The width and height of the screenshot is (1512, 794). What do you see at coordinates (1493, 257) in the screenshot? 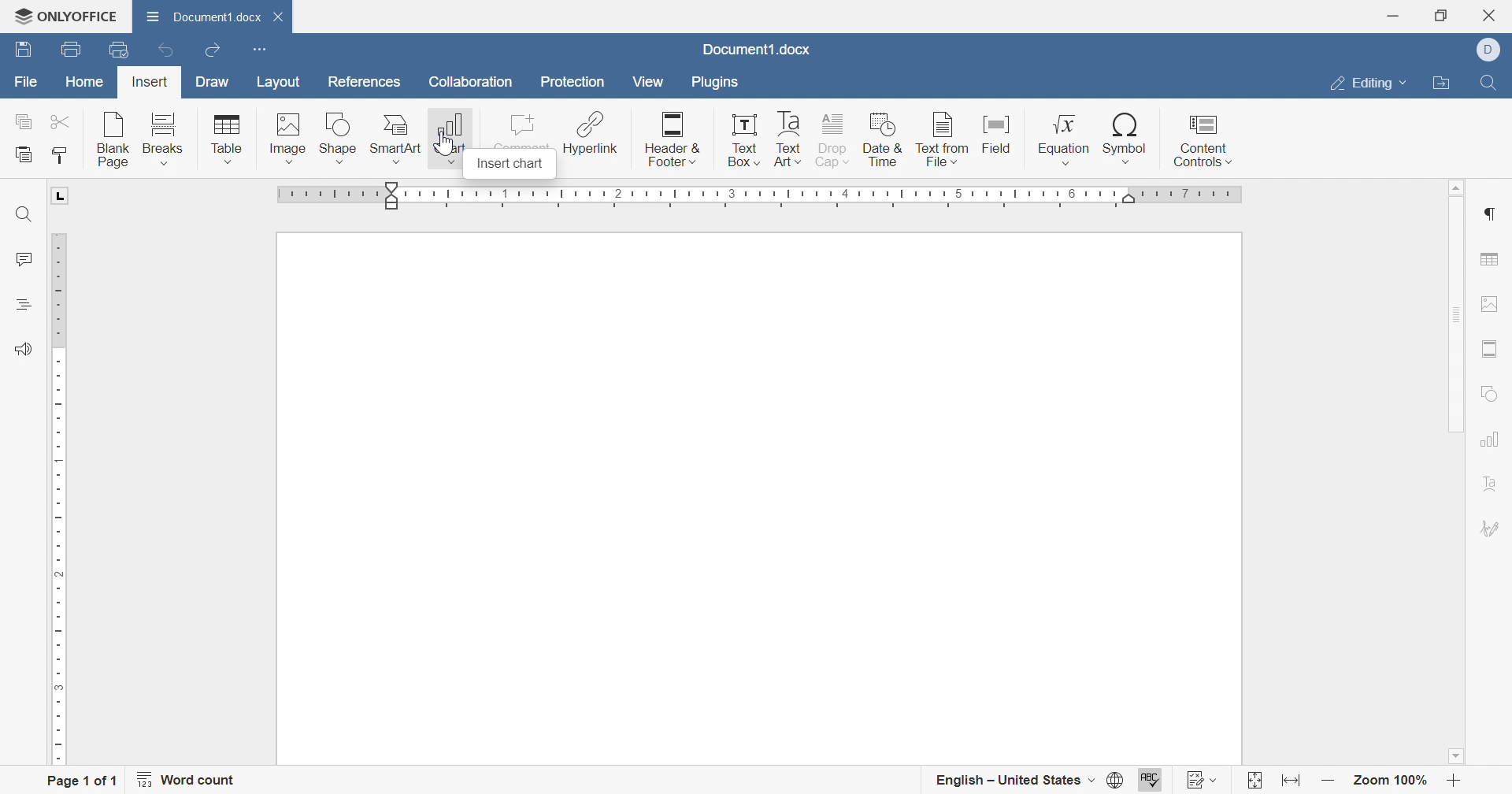
I see `Table settings` at bounding box center [1493, 257].